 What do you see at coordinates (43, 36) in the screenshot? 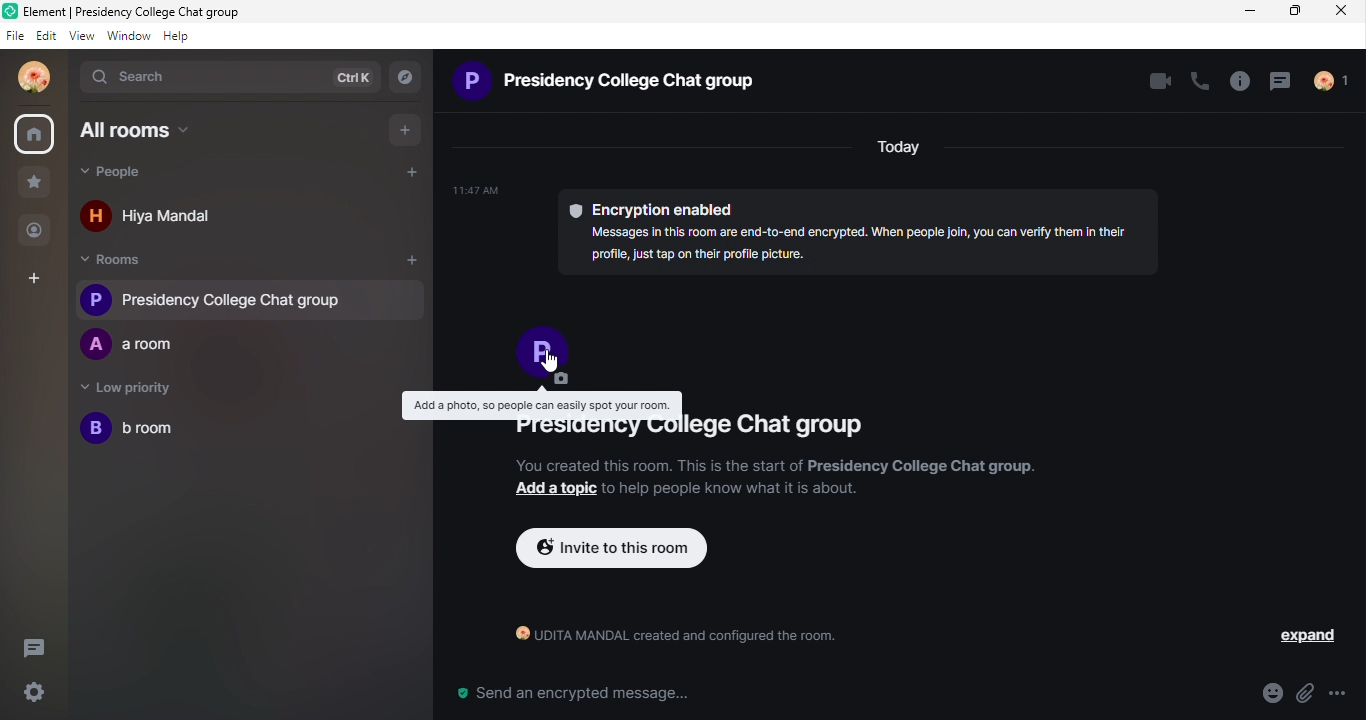
I see `edit` at bounding box center [43, 36].